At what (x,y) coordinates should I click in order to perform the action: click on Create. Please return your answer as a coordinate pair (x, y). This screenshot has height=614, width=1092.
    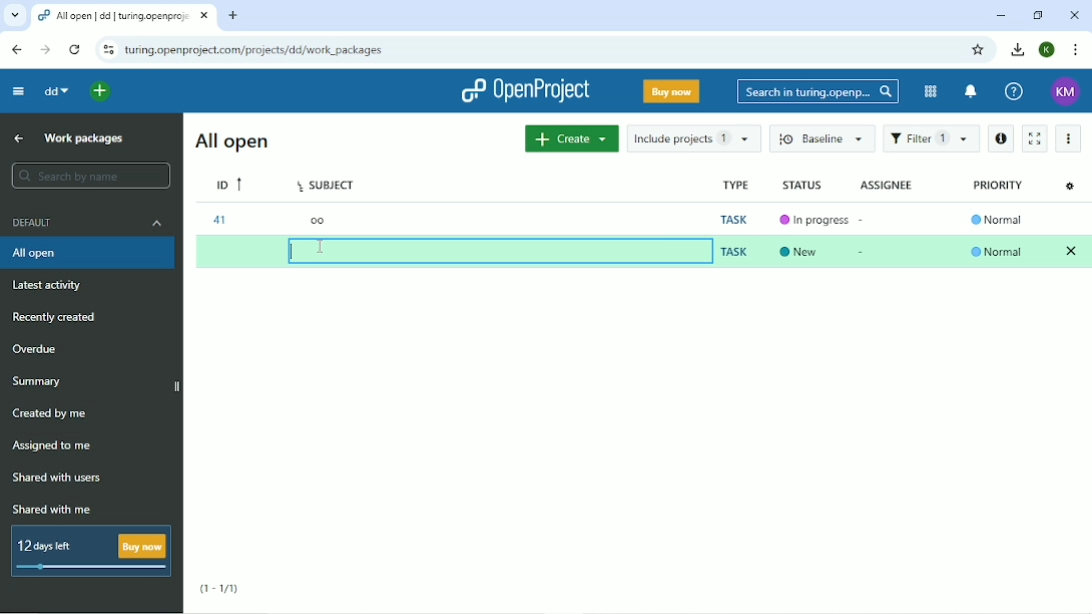
    Looking at the image, I should click on (571, 139).